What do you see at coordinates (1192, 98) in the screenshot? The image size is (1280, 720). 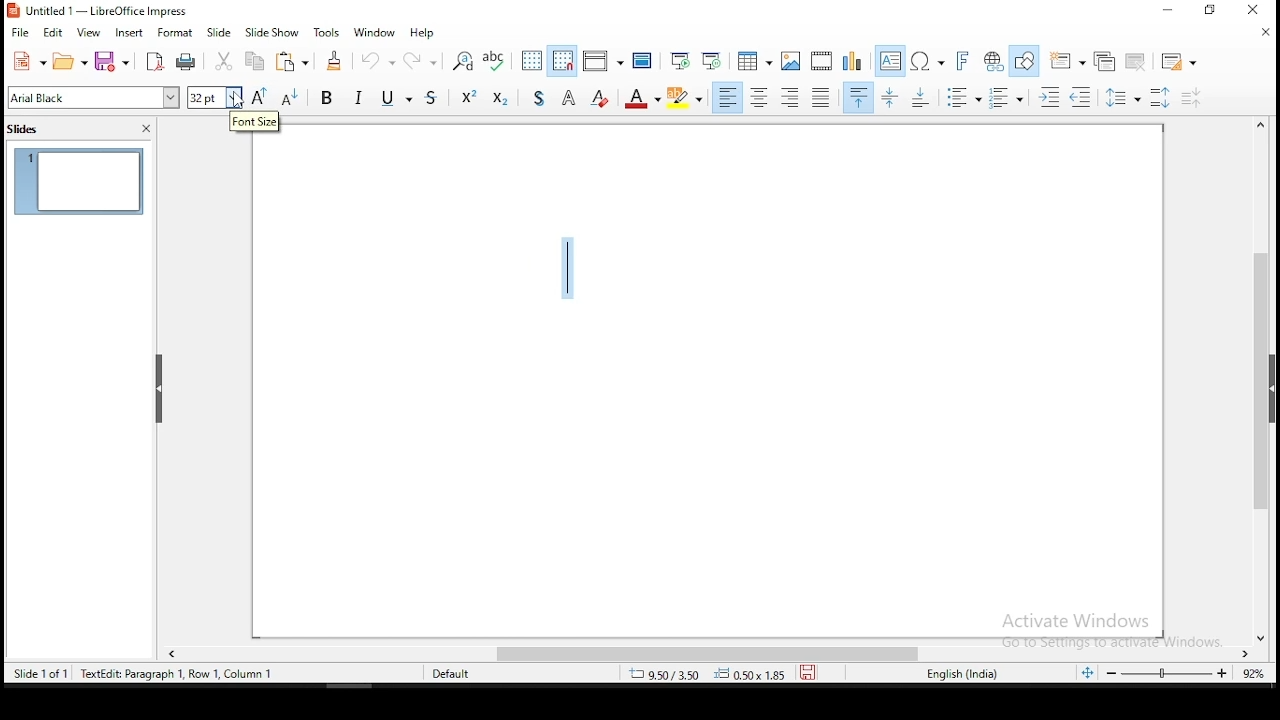 I see `Decrease Line Spacing` at bounding box center [1192, 98].